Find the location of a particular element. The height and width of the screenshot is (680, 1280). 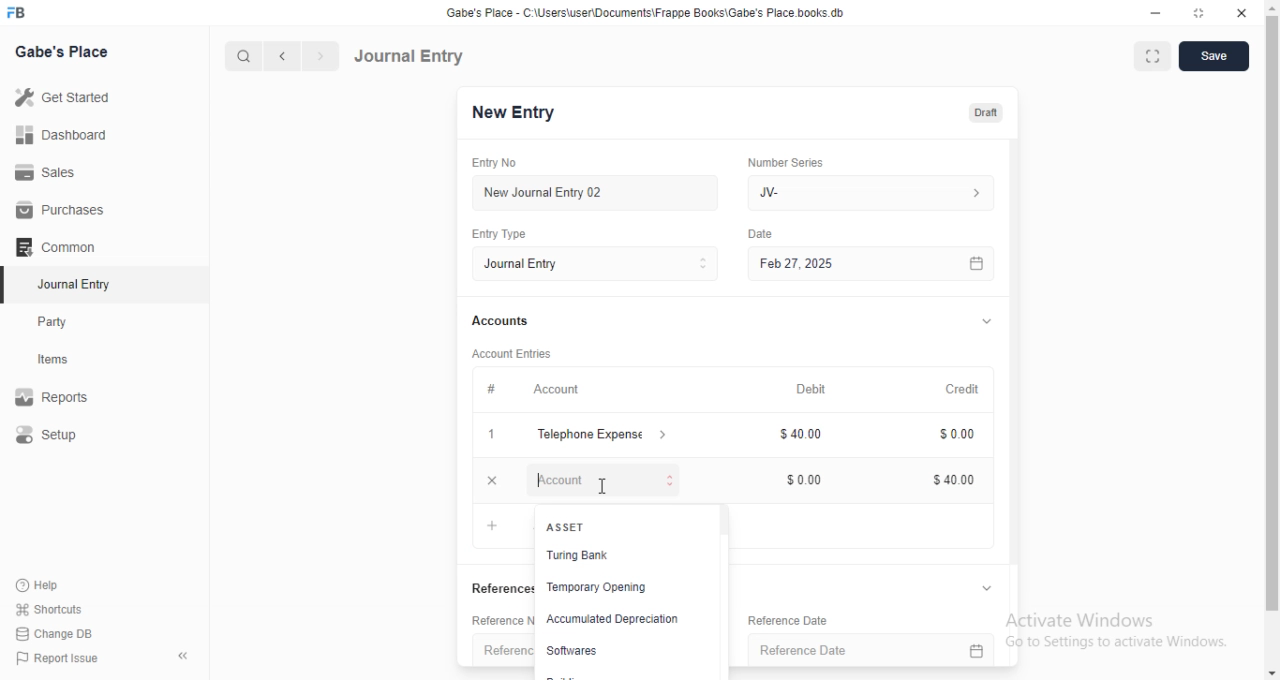

Previous is located at coordinates (283, 57).